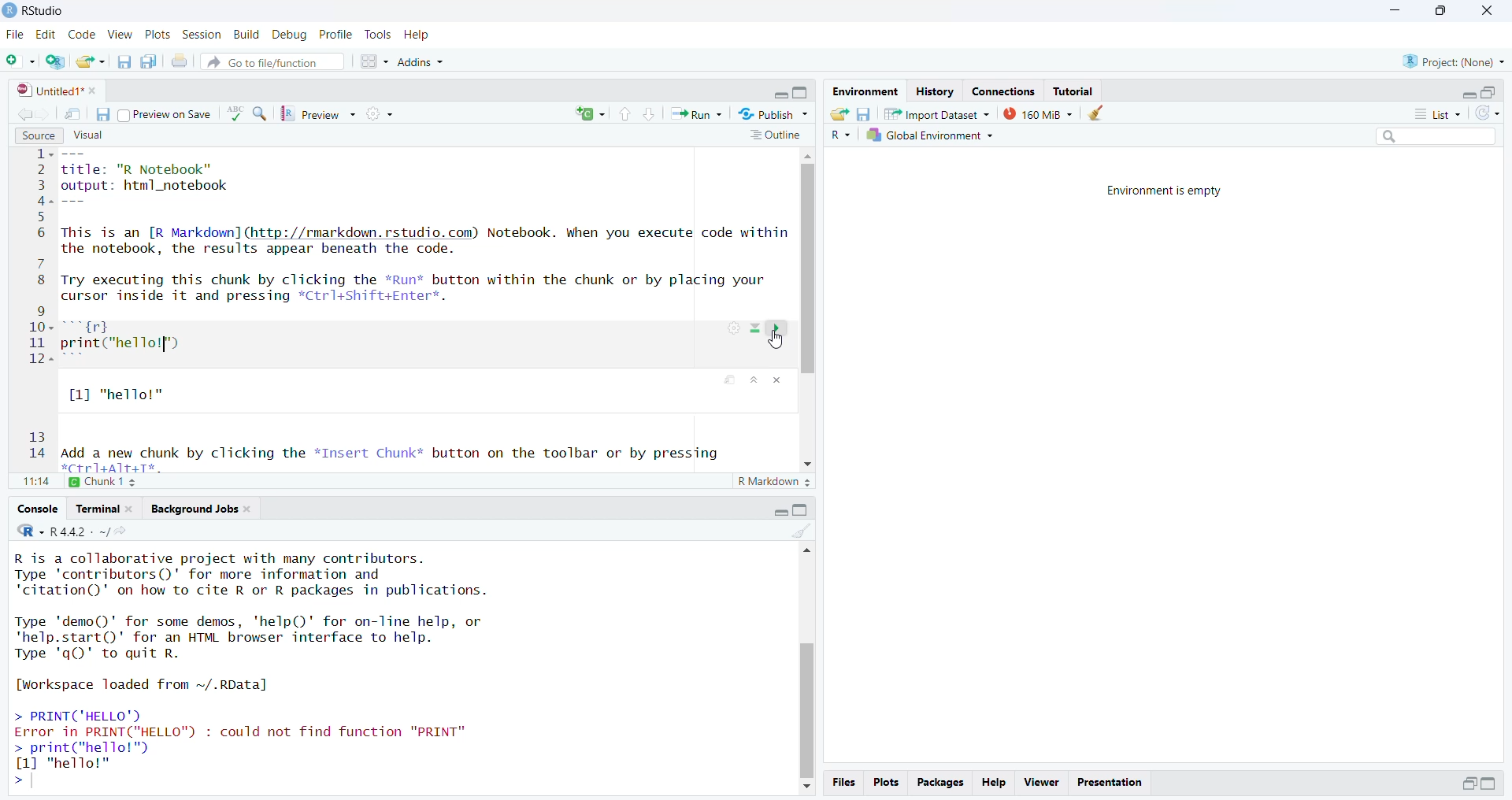 This screenshot has height=800, width=1512. I want to click on environment, so click(864, 91).